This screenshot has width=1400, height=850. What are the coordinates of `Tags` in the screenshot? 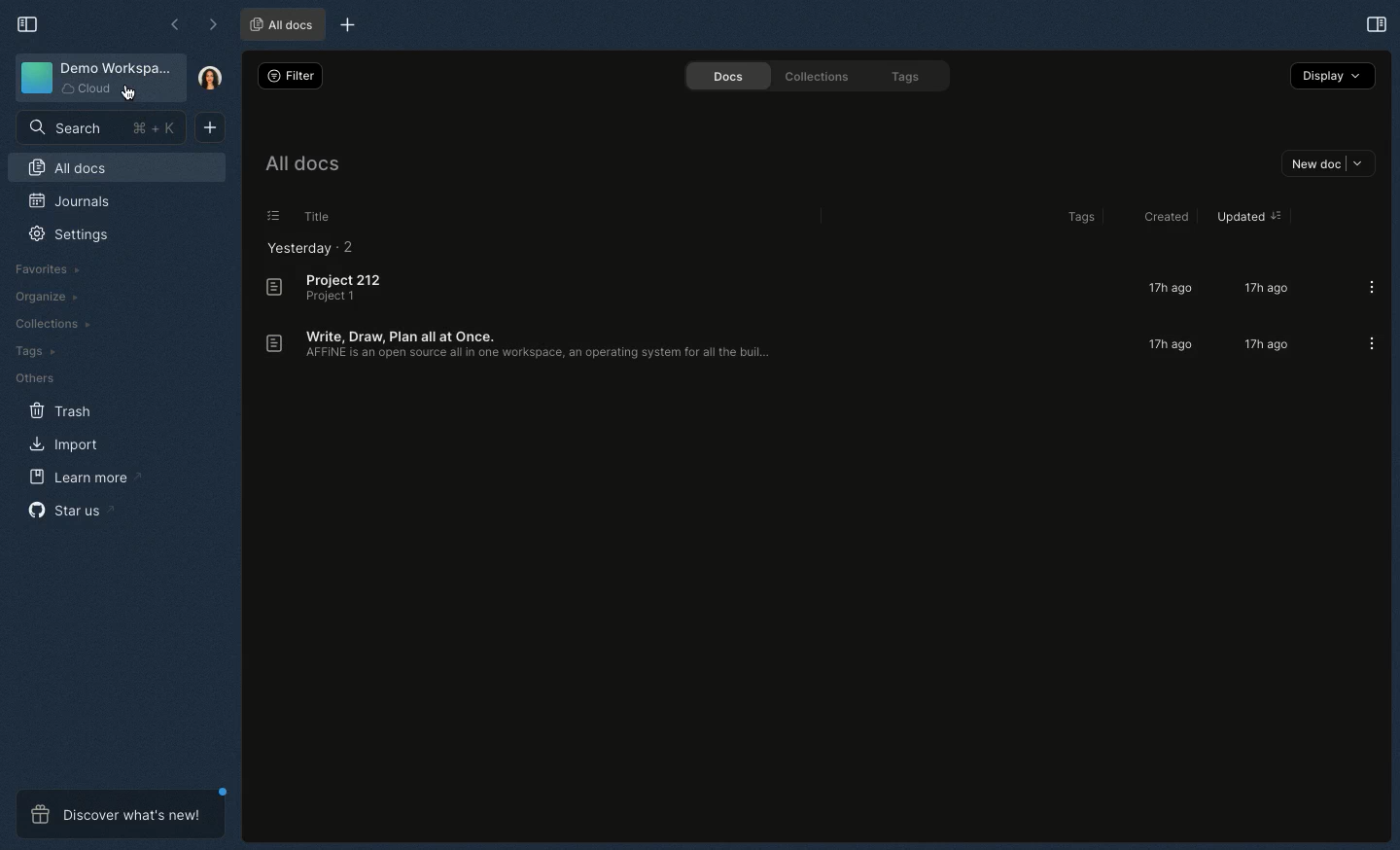 It's located at (31, 351).